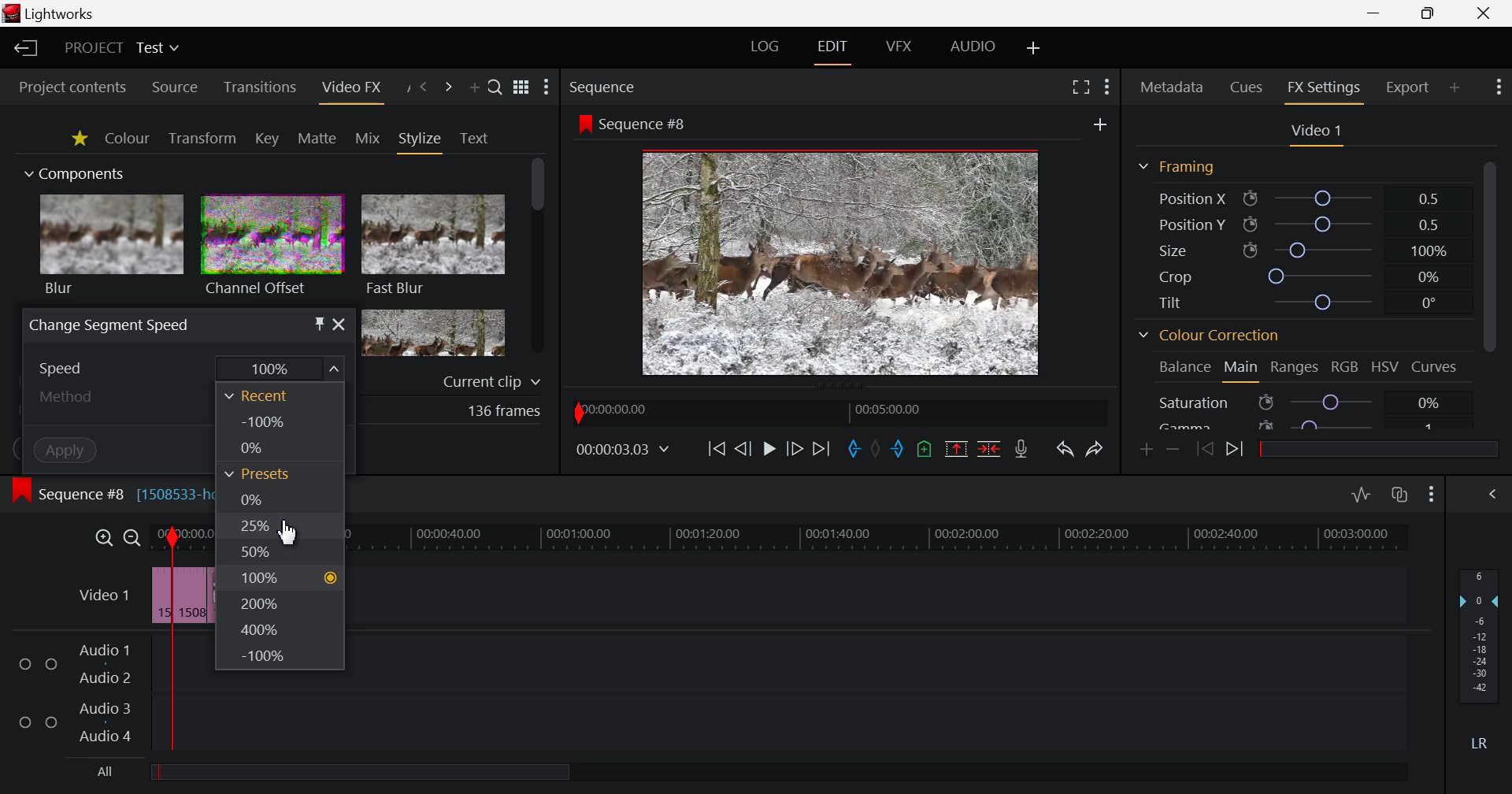 Image resolution: width=1512 pixels, height=794 pixels. Describe the element at coordinates (283, 426) in the screenshot. I see `-100%` at that location.